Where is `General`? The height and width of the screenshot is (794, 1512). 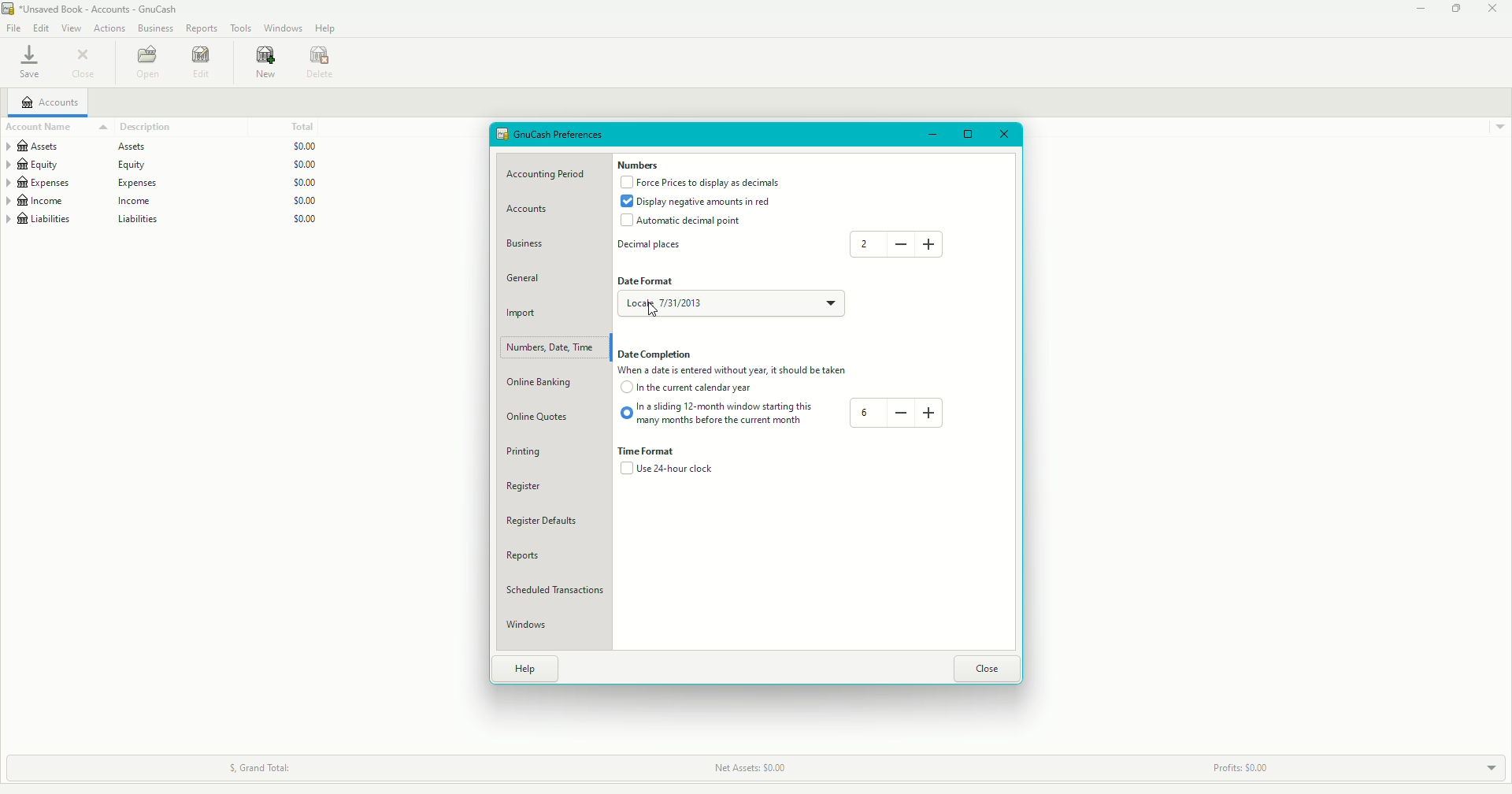 General is located at coordinates (530, 278).